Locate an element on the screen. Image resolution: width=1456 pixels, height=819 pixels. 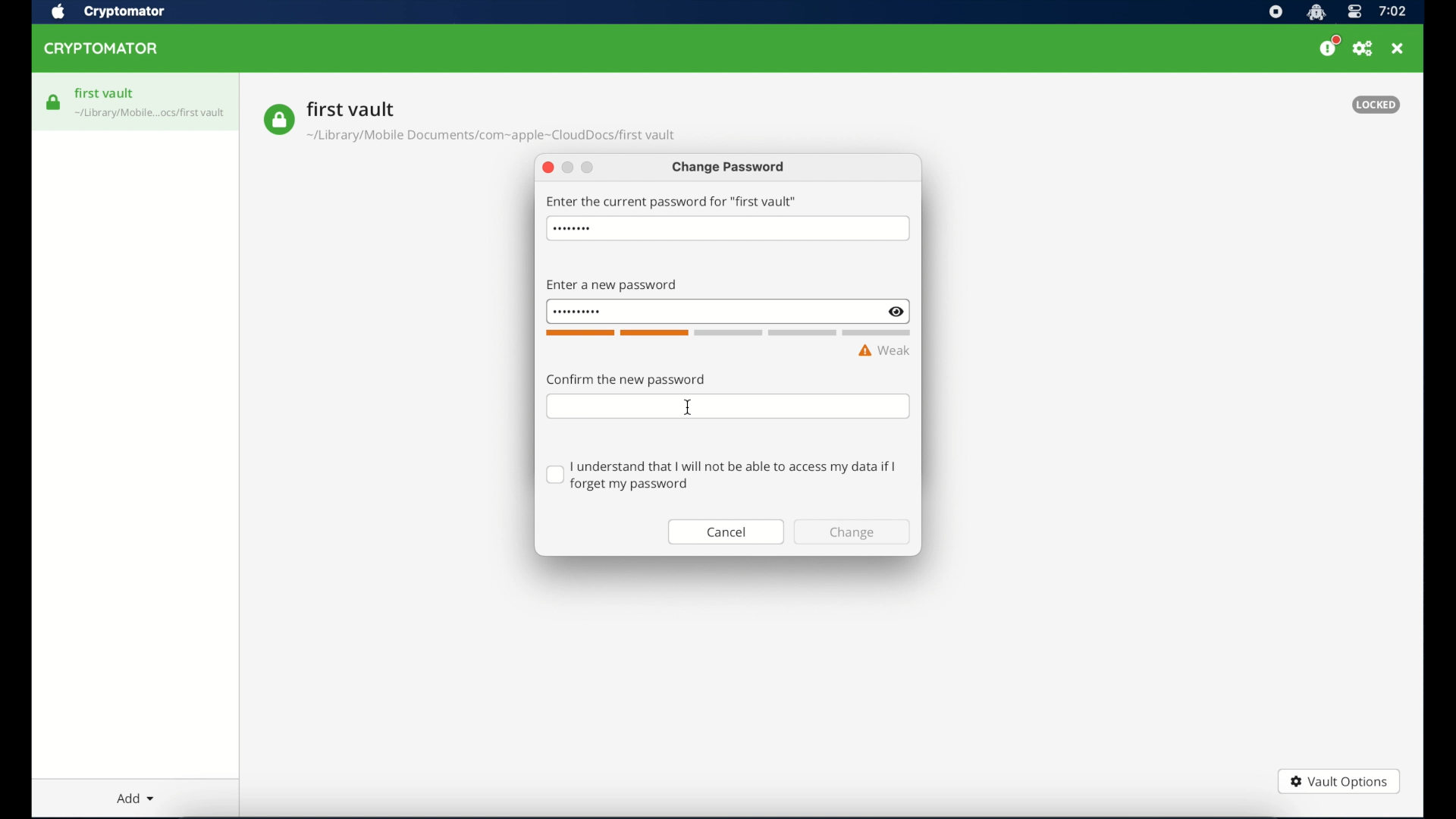
vault icon is located at coordinates (151, 115).